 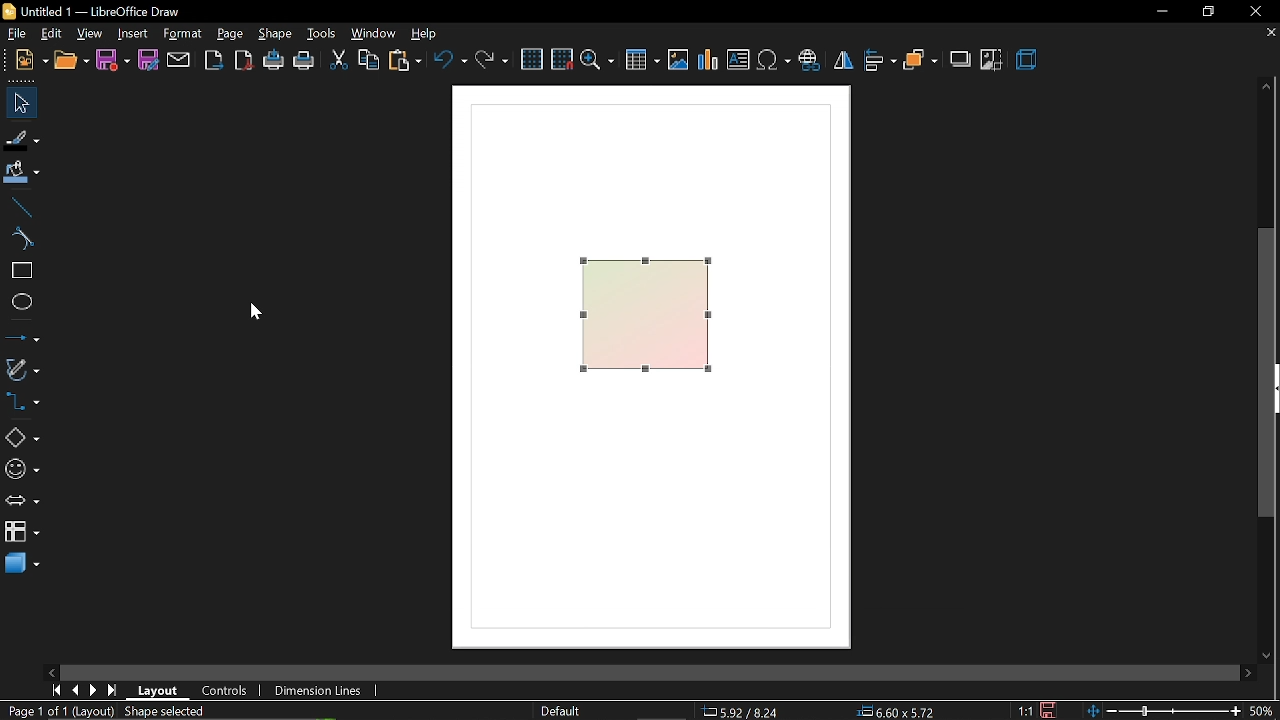 I want to click on Move down, so click(x=1271, y=656).